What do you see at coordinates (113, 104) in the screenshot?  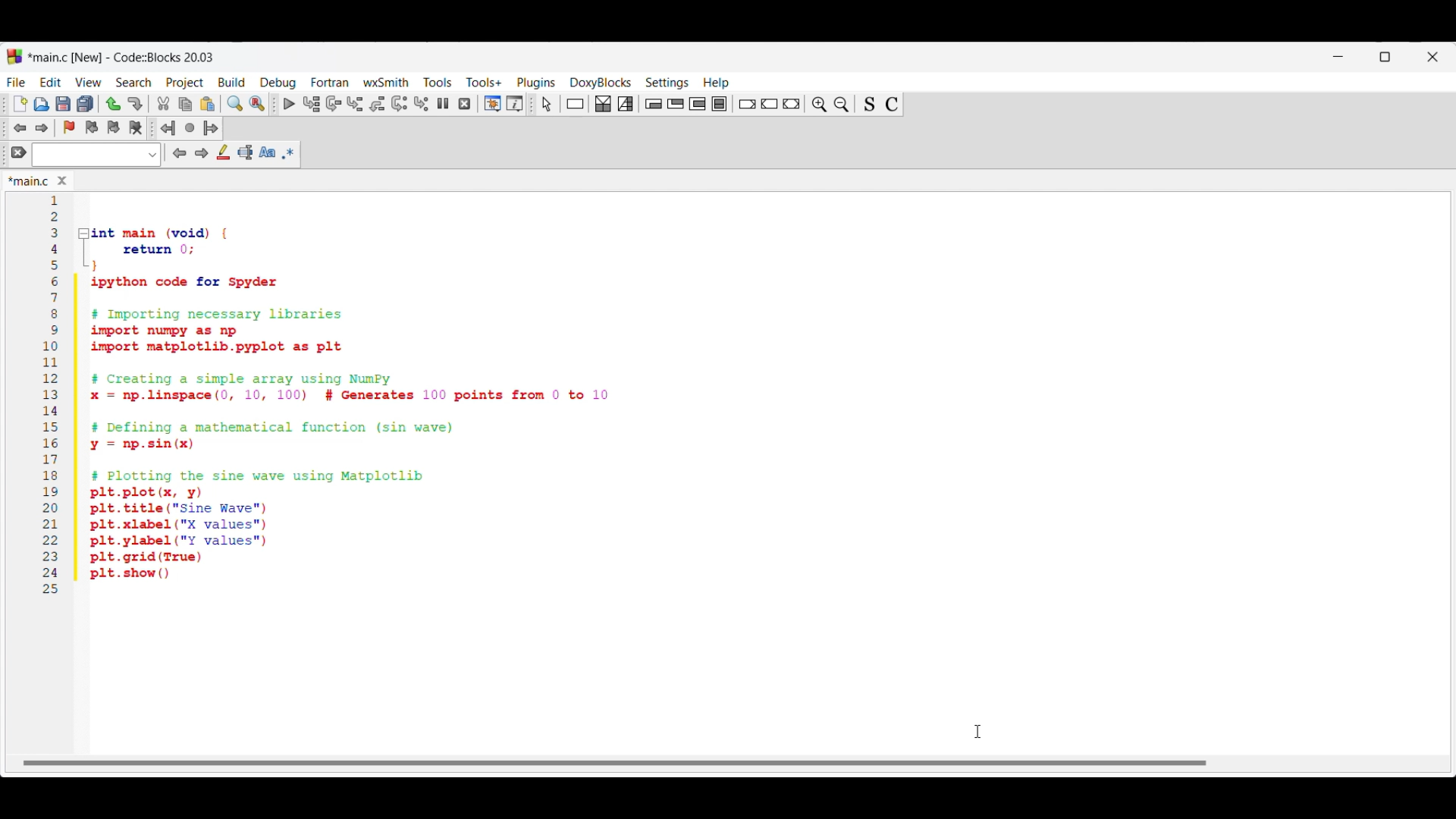 I see `Undo` at bounding box center [113, 104].